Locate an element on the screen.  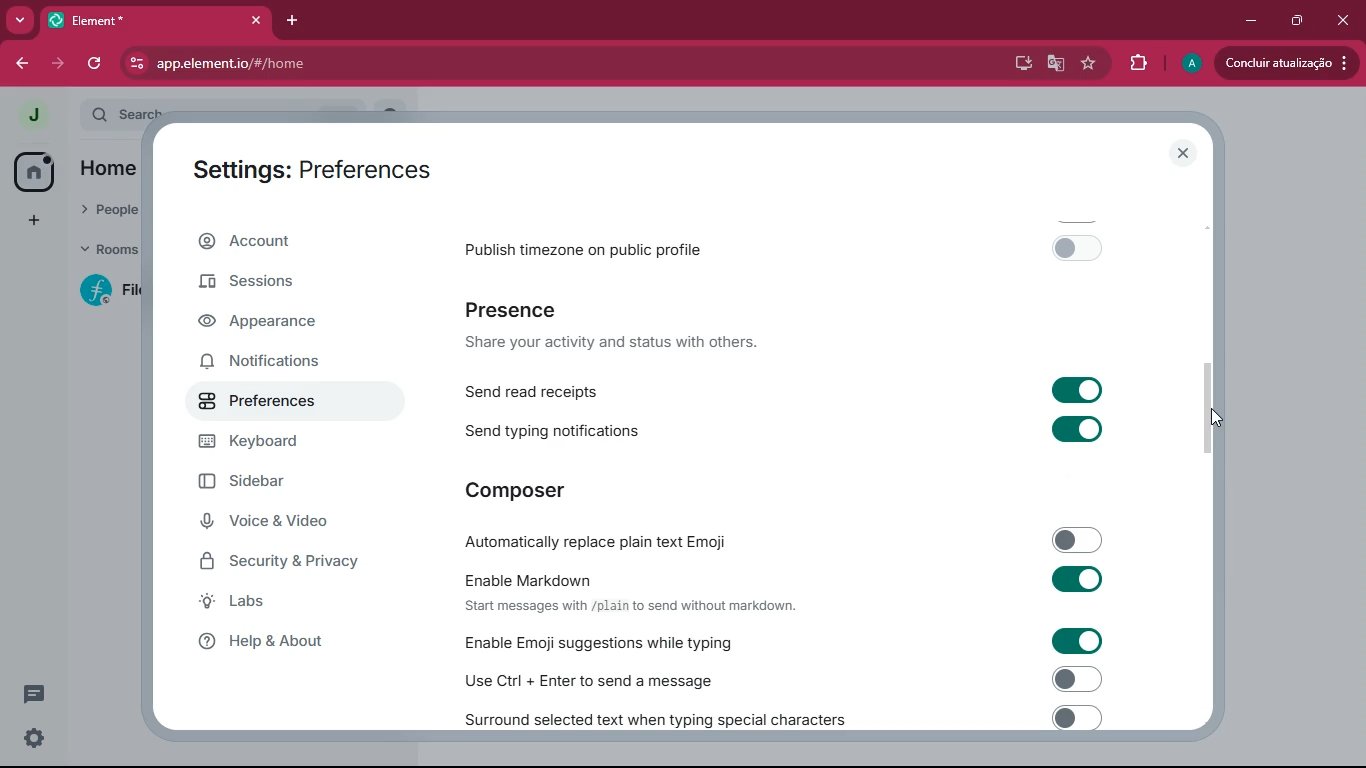
scroll bar is located at coordinates (1210, 412).